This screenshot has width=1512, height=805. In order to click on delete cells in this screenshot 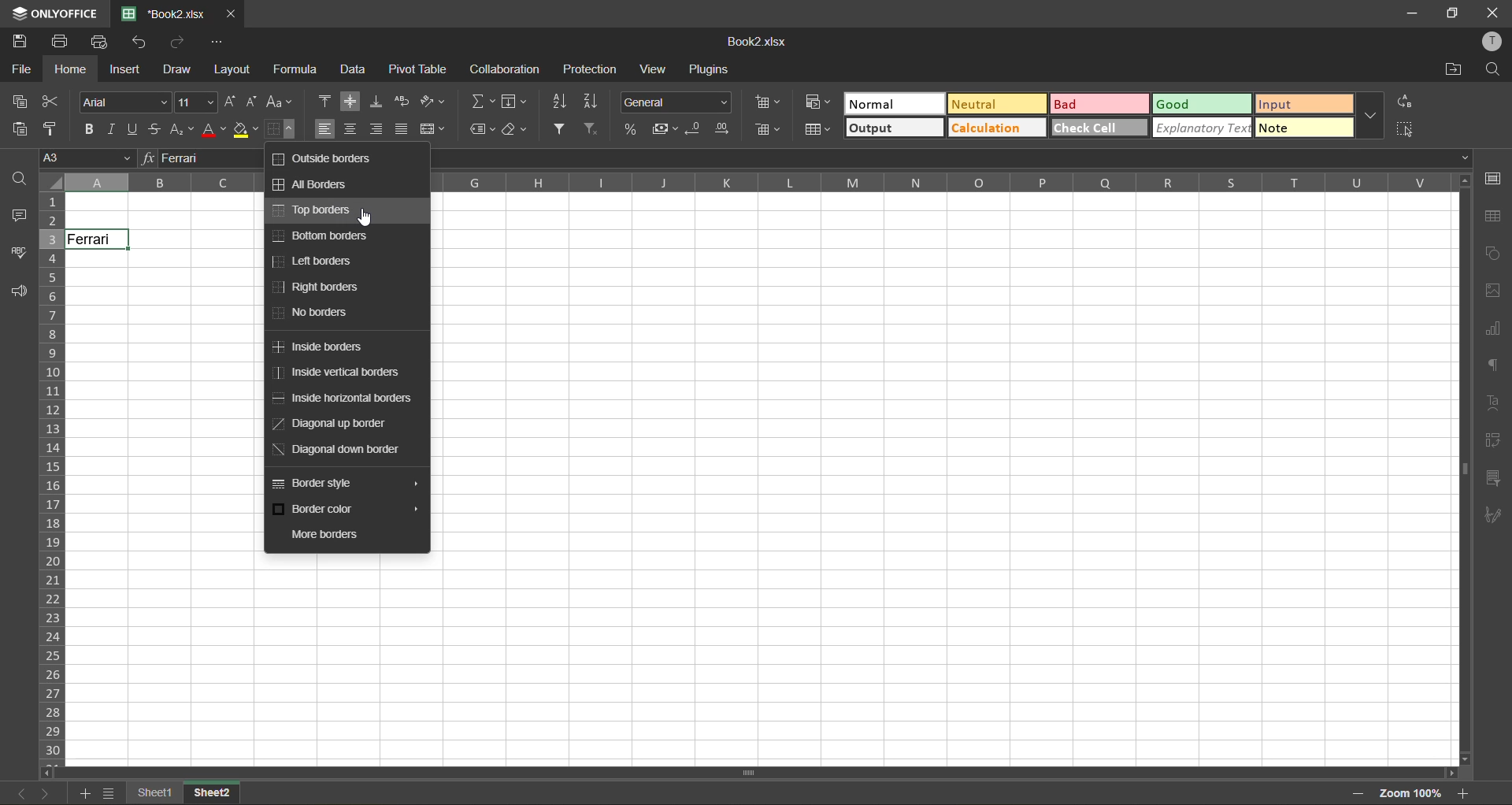, I will do `click(765, 129)`.